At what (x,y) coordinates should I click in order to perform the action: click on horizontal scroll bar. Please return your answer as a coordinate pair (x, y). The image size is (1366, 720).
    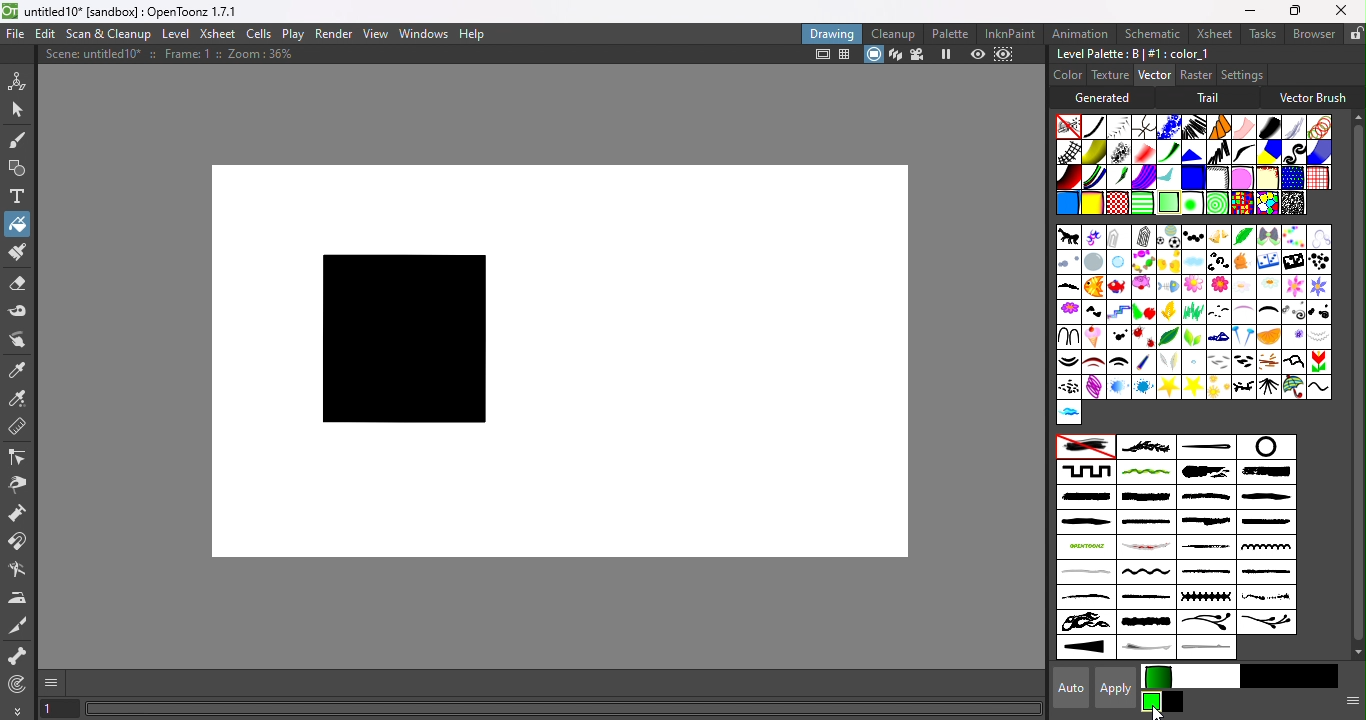
    Looking at the image, I should click on (564, 709).